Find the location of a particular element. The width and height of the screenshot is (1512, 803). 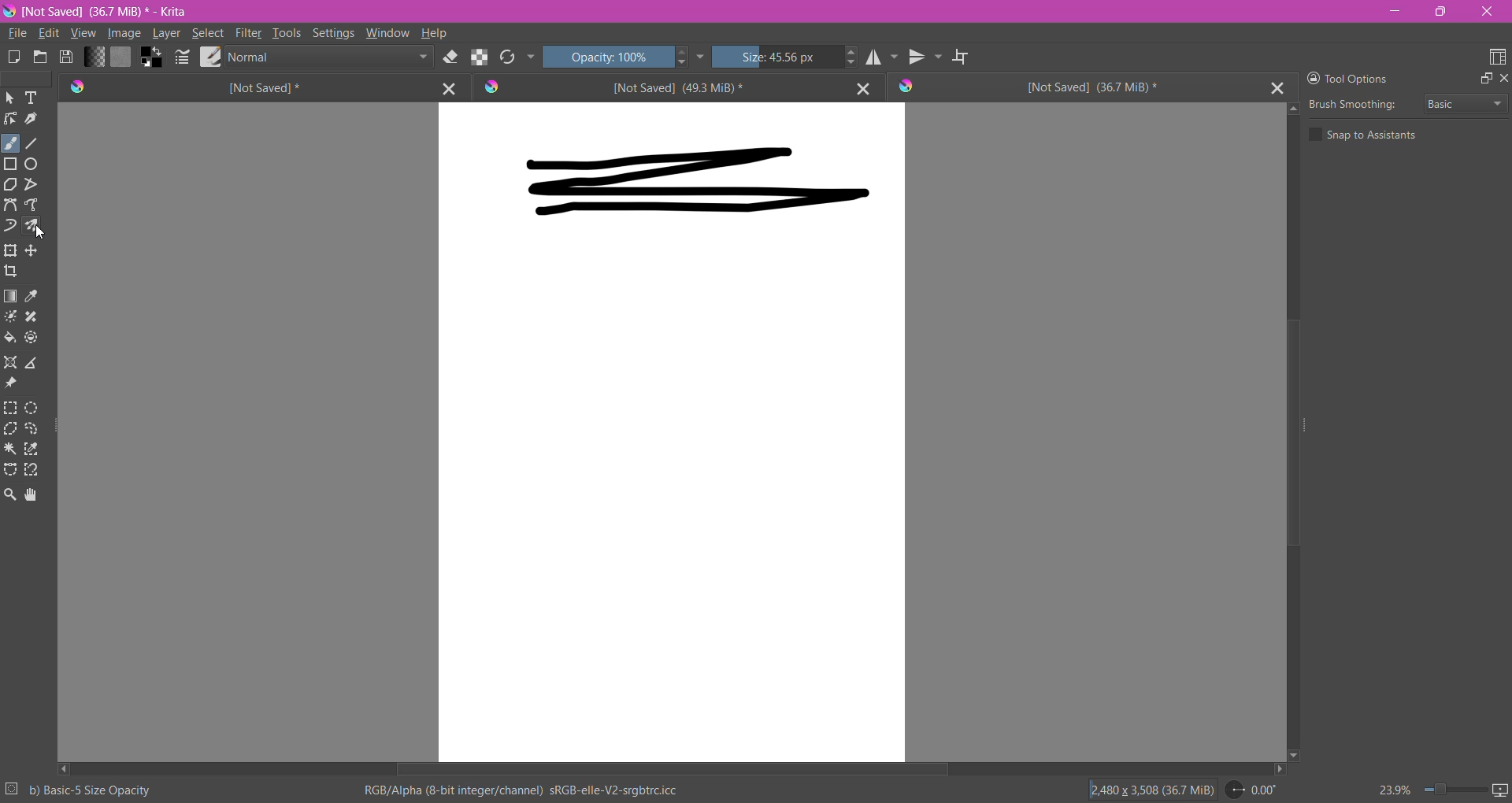

Preserve Alpha is located at coordinates (477, 56).